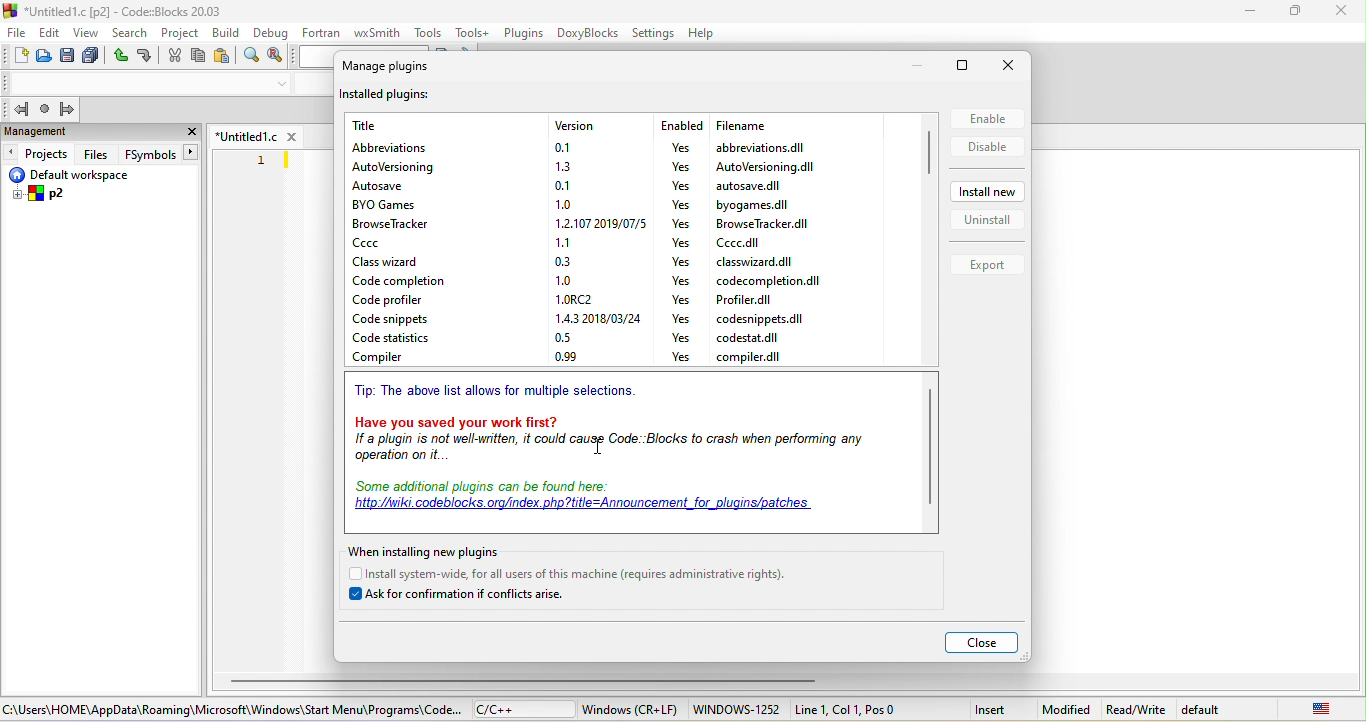  What do you see at coordinates (379, 125) in the screenshot?
I see `title` at bounding box center [379, 125].